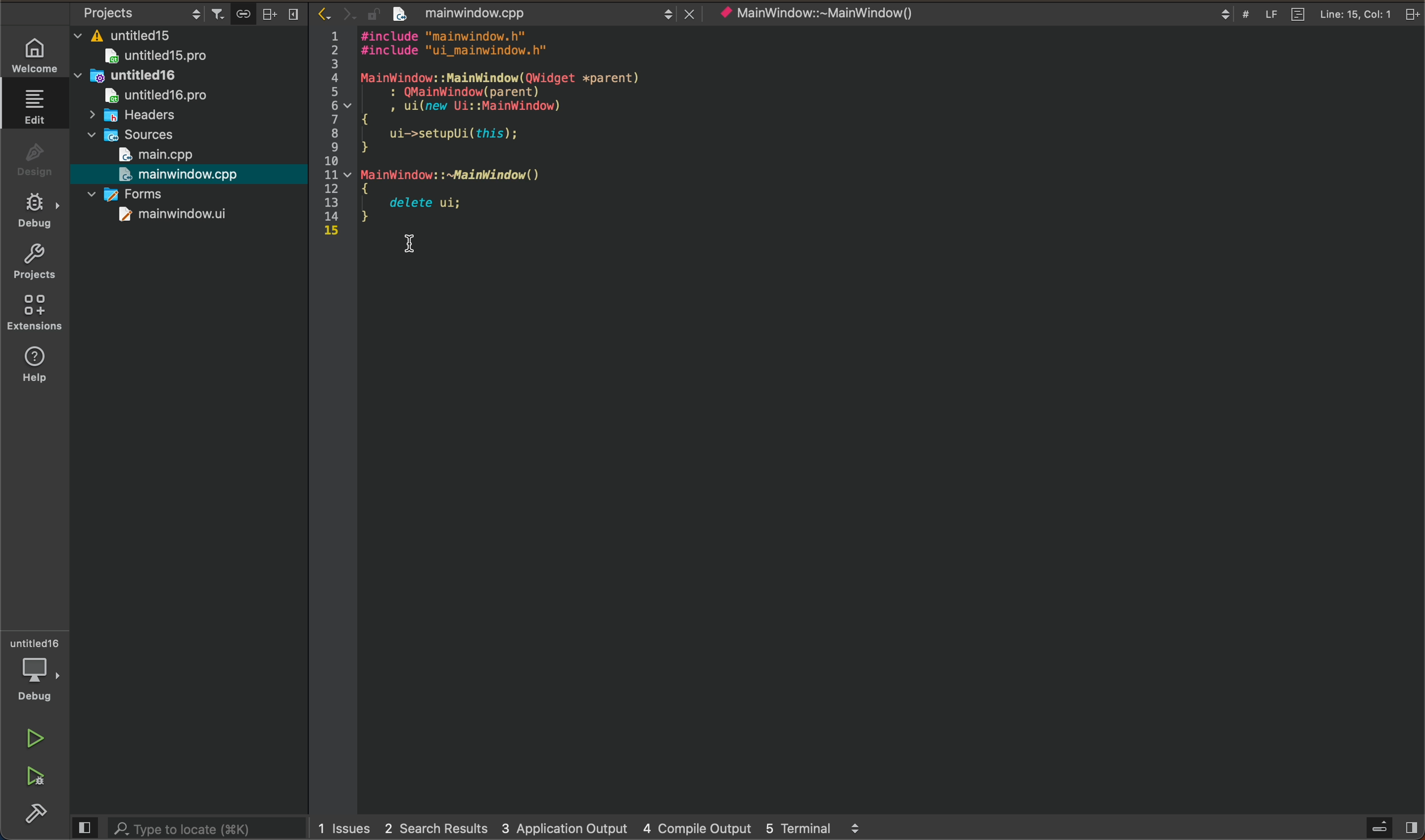 The image size is (1425, 840). What do you see at coordinates (241, 14) in the screenshot?
I see `attach` at bounding box center [241, 14].